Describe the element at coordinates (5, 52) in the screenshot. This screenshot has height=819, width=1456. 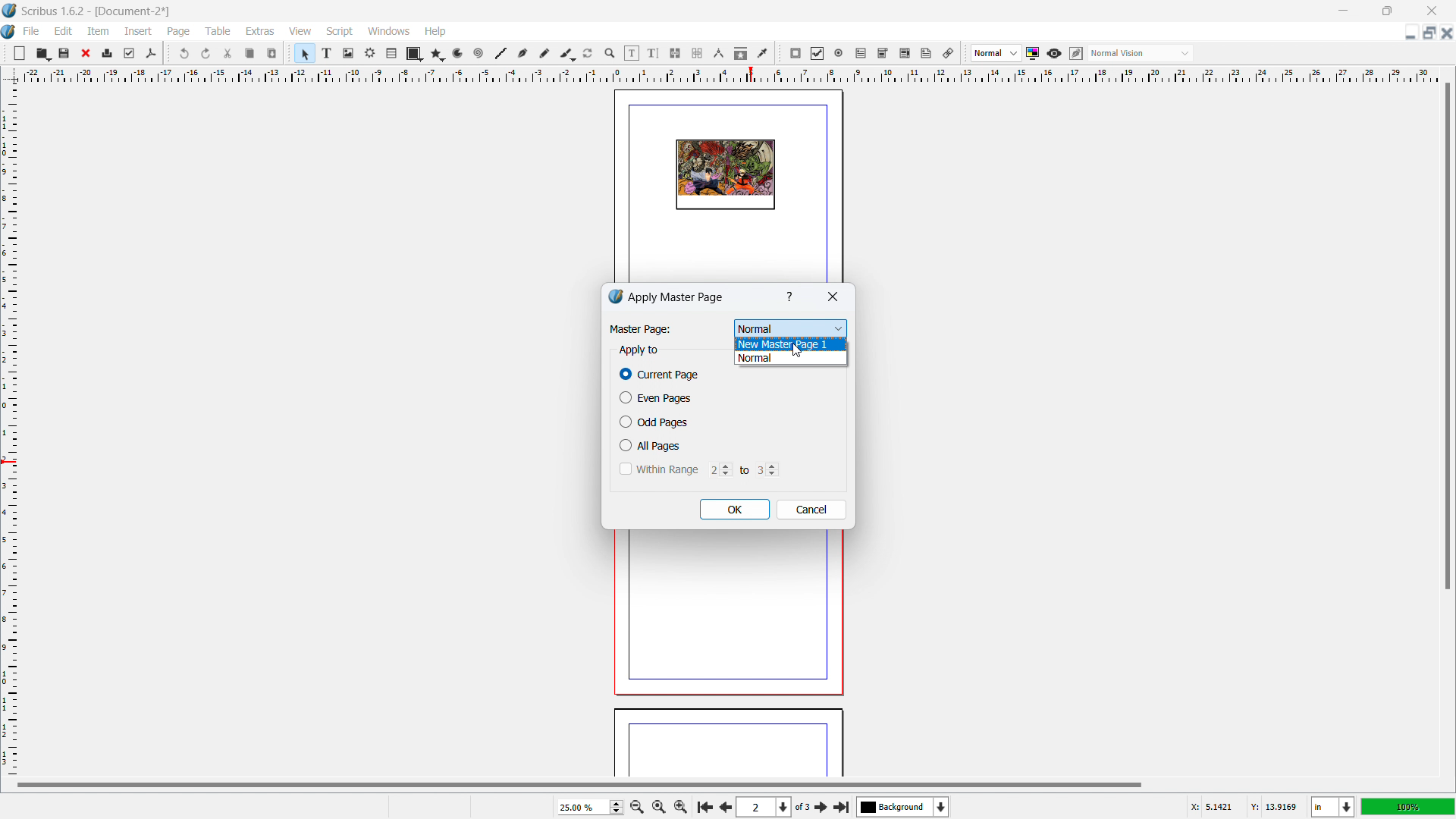
I see `move toolbox` at that location.